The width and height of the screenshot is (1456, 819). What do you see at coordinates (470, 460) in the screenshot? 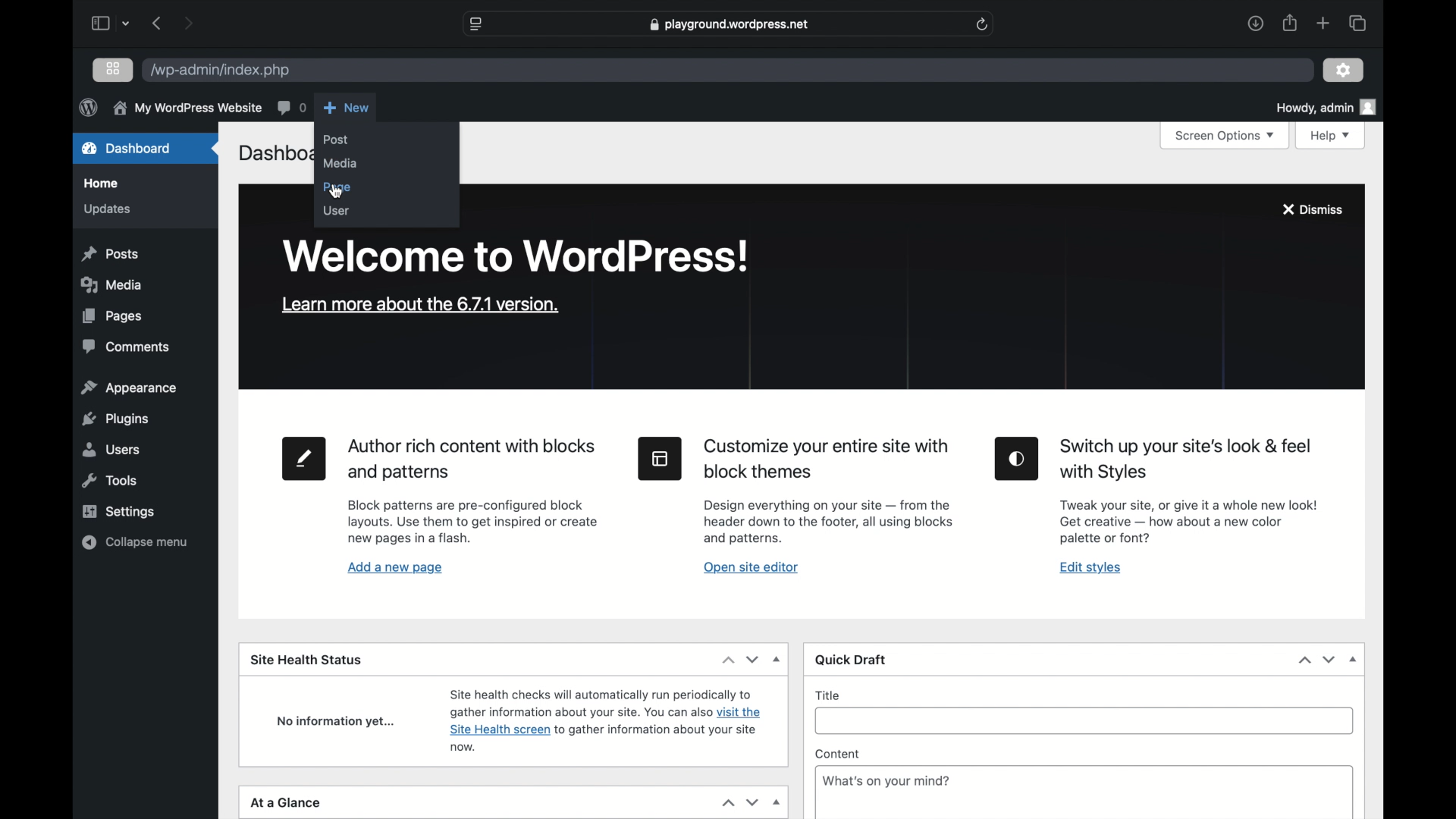
I see `heading` at bounding box center [470, 460].